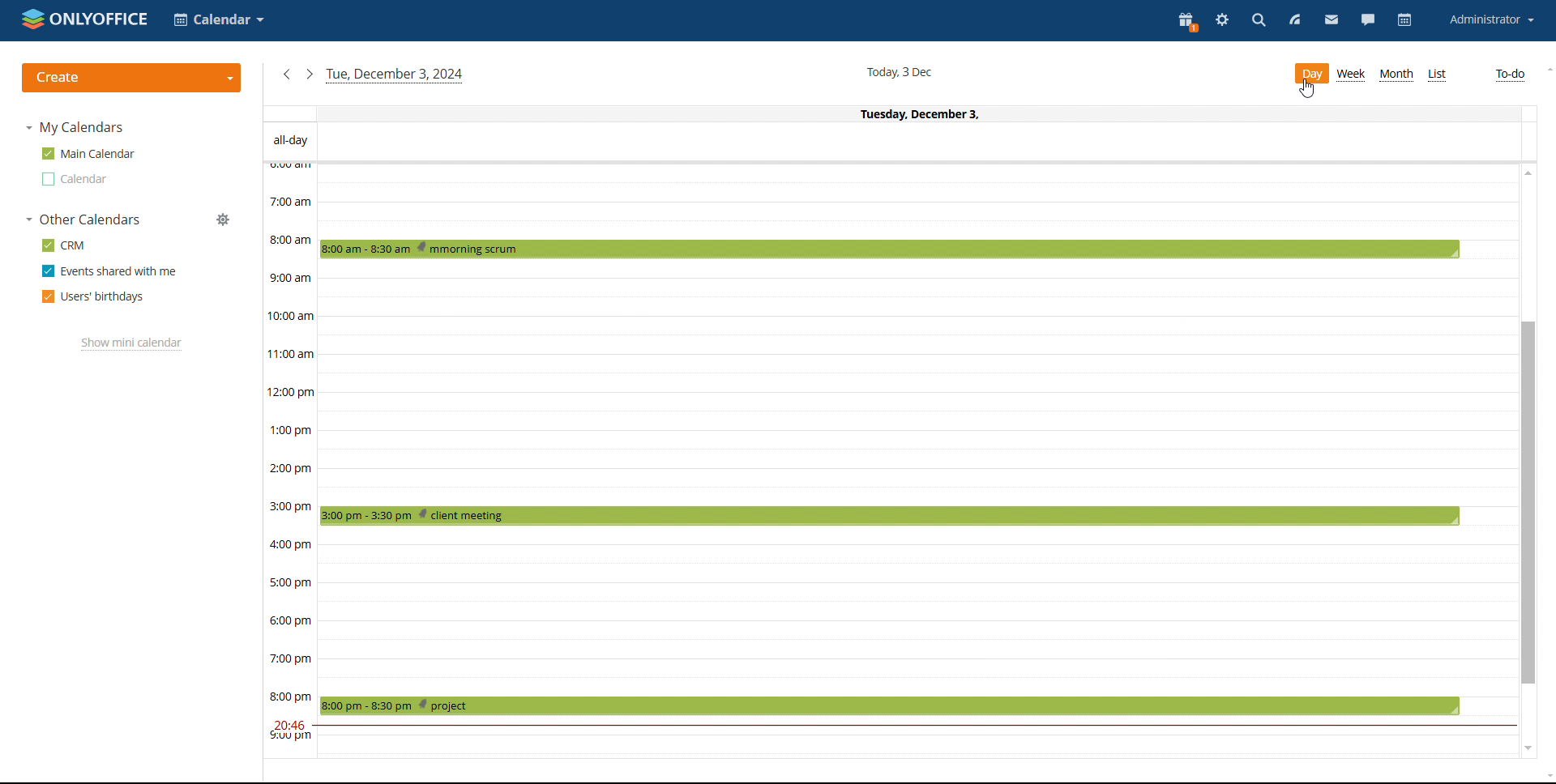 This screenshot has height=784, width=1556. What do you see at coordinates (1297, 19) in the screenshot?
I see `feed` at bounding box center [1297, 19].